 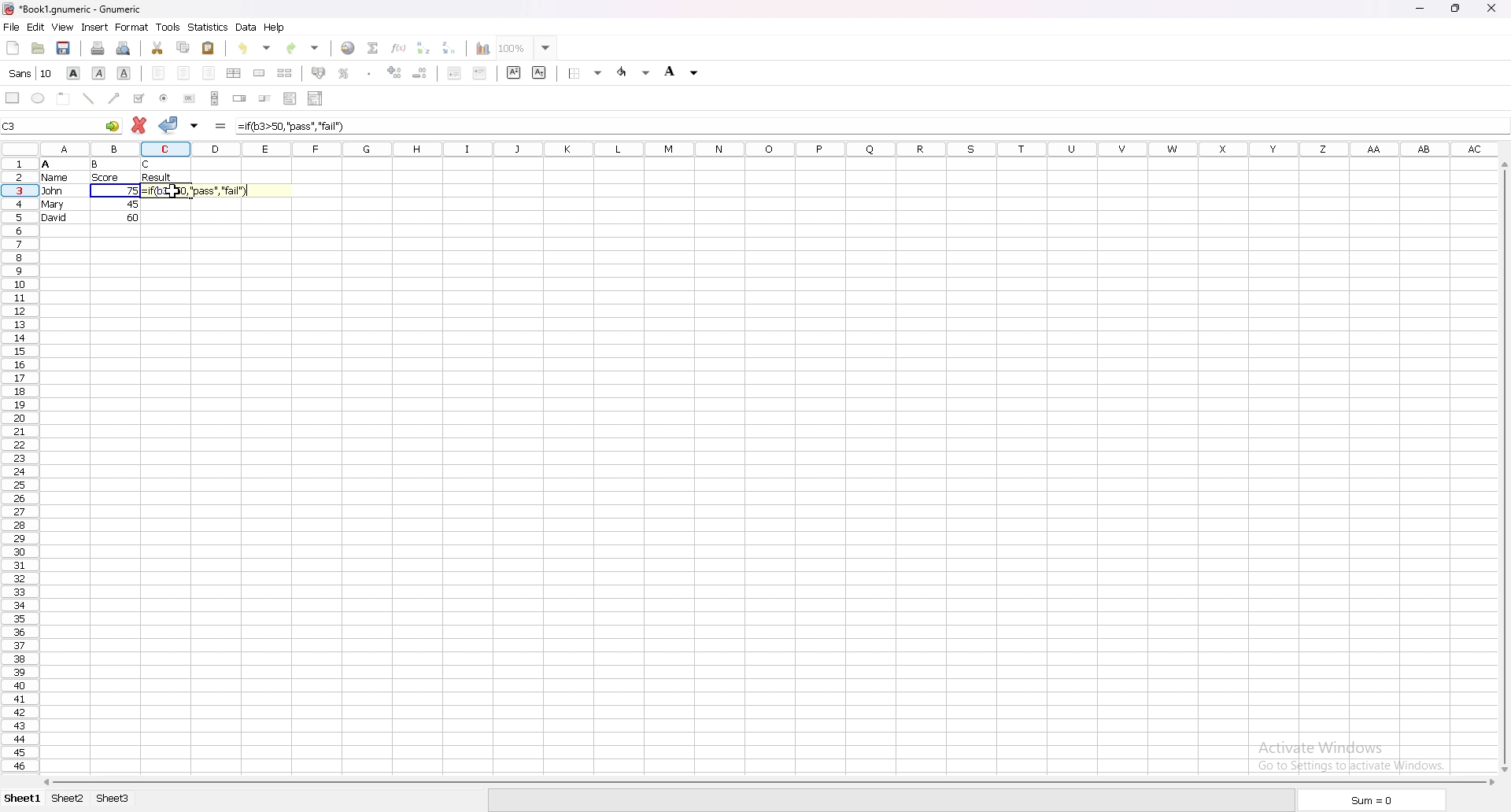 What do you see at coordinates (148, 164) in the screenshot?
I see `c` at bounding box center [148, 164].